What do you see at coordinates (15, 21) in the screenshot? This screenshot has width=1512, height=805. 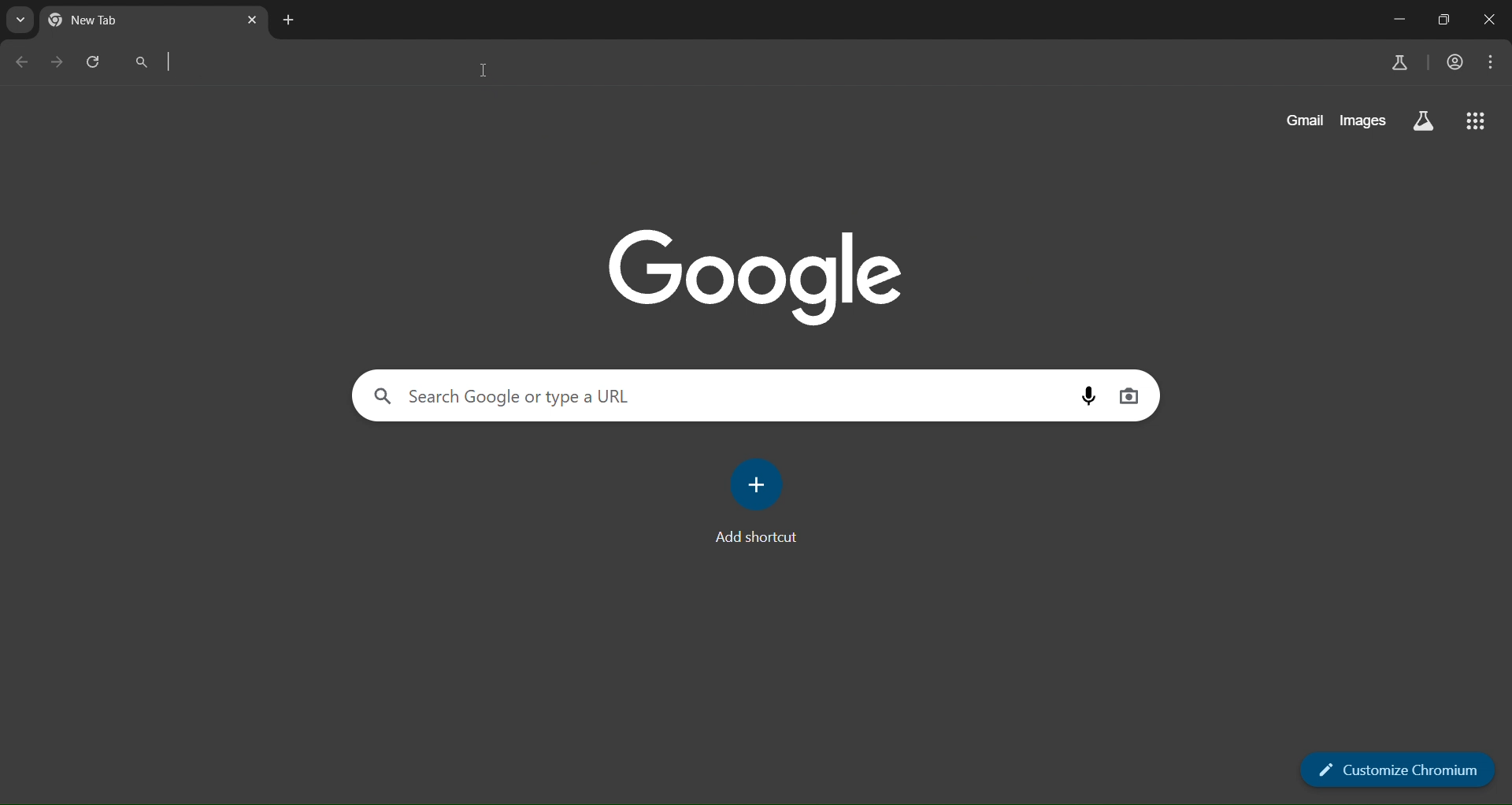 I see `search page` at bounding box center [15, 21].